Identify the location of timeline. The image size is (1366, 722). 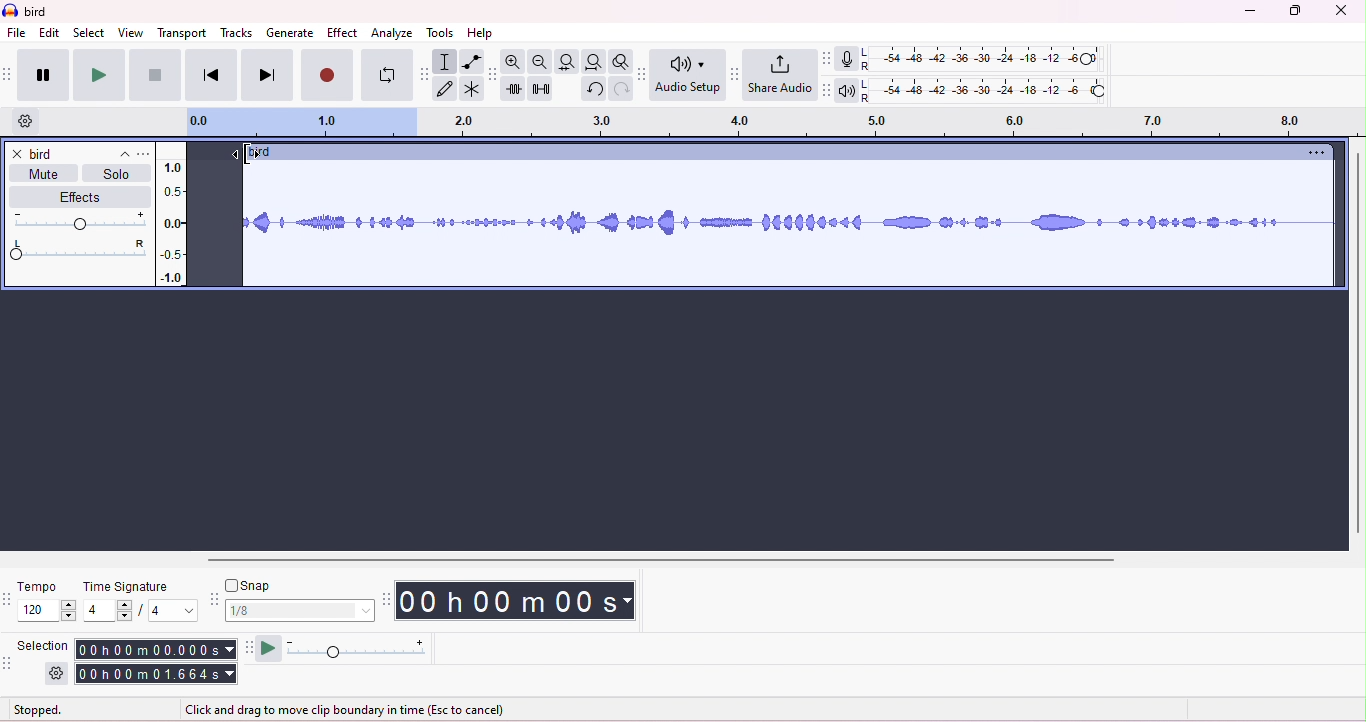
(769, 124).